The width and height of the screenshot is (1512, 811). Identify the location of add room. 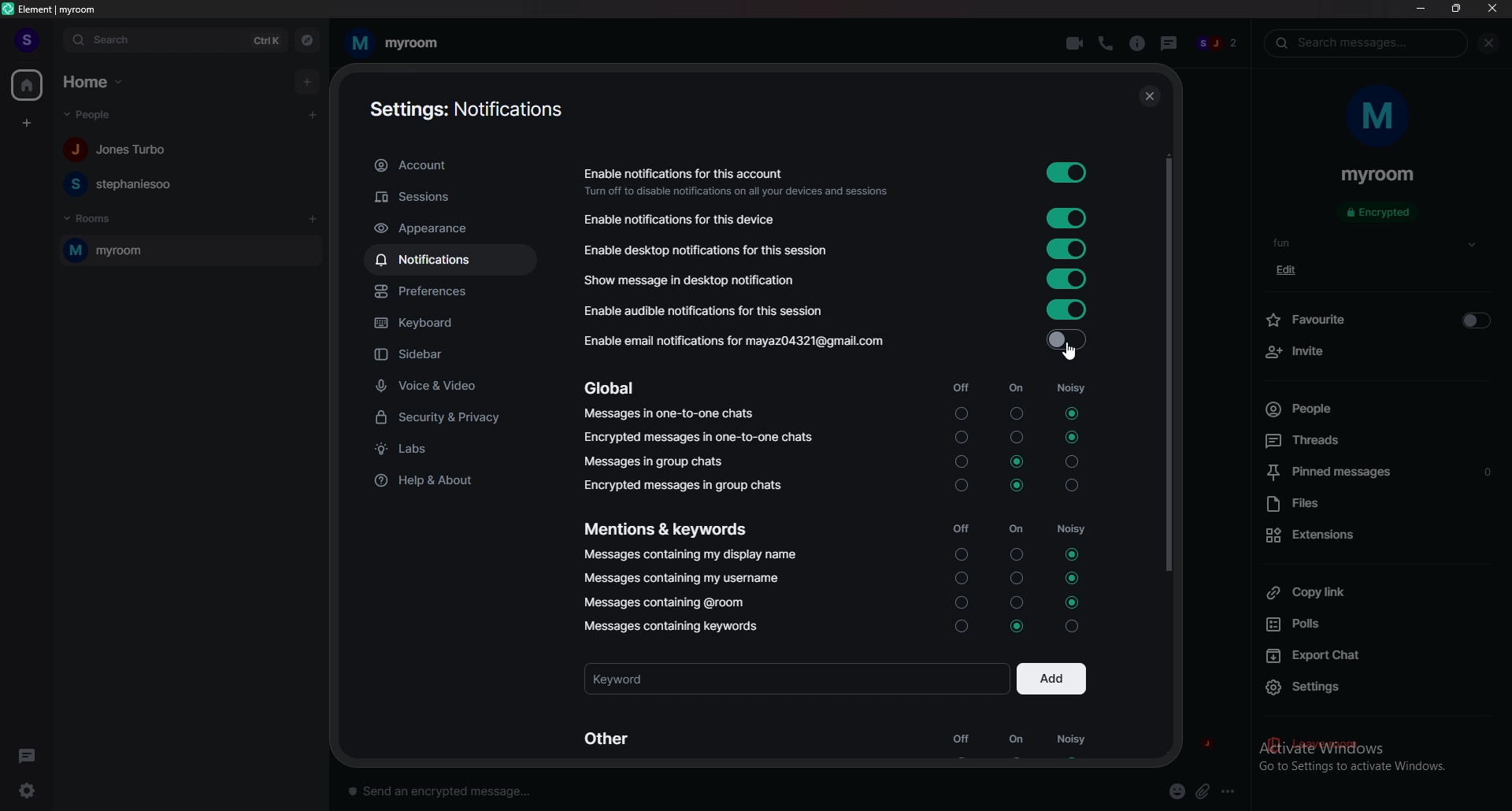
(313, 219).